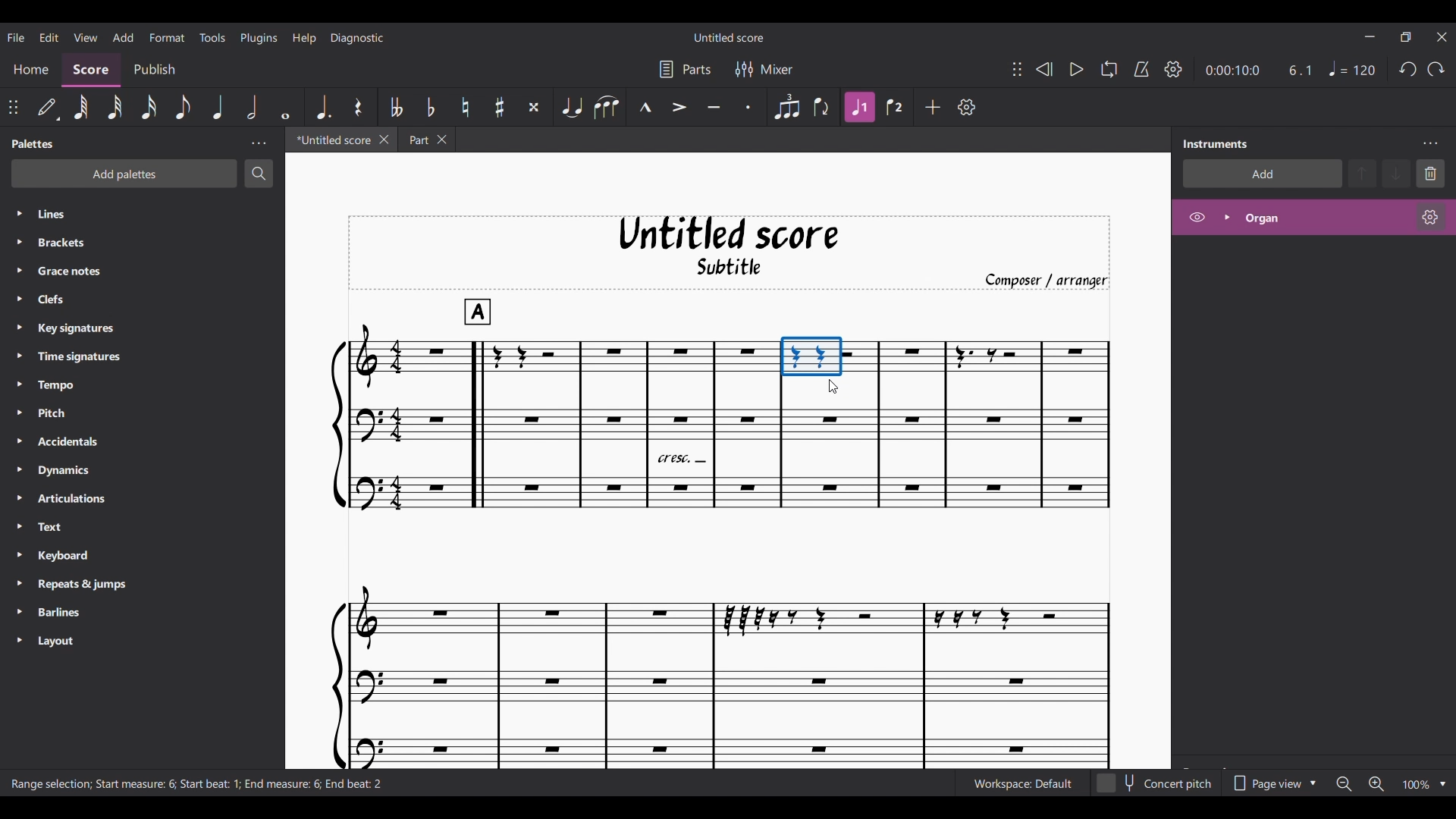 The width and height of the screenshot is (1456, 819). I want to click on Move selection down, so click(1396, 174).